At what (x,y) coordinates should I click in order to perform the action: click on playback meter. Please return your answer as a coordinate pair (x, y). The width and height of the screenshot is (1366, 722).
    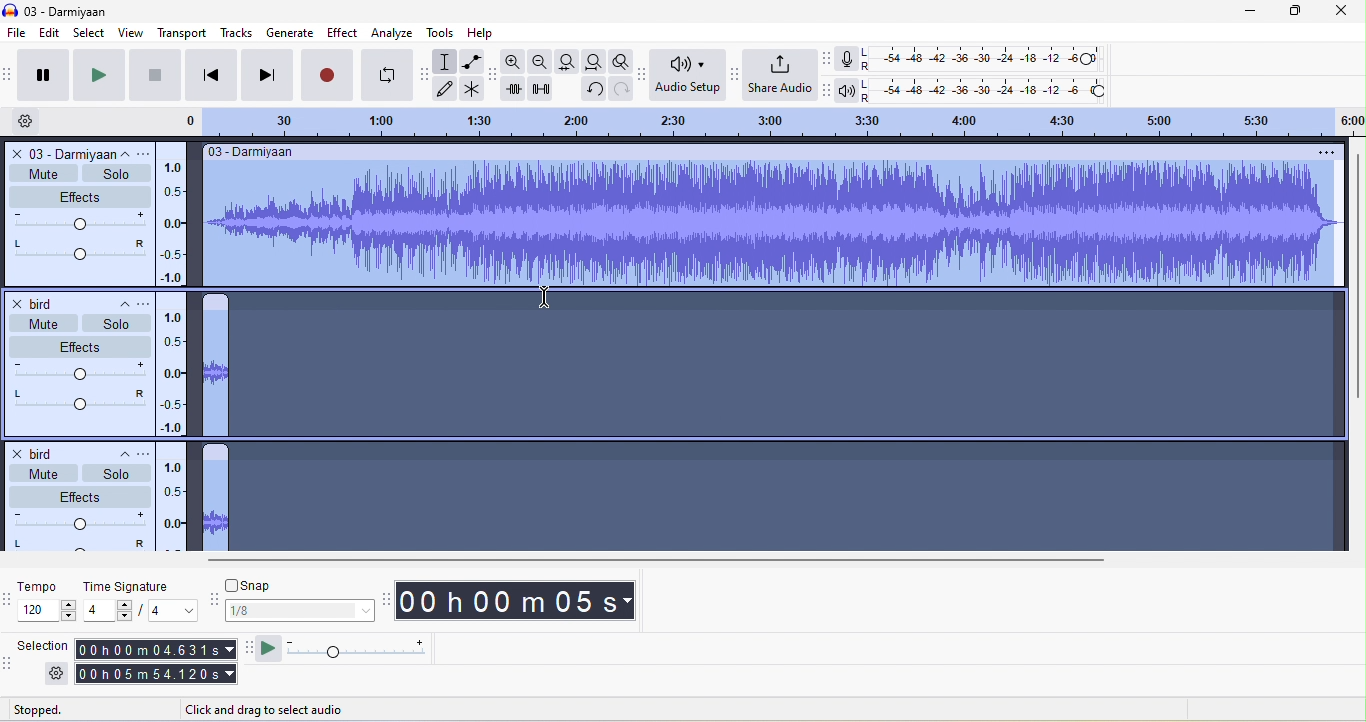
    Looking at the image, I should click on (851, 90).